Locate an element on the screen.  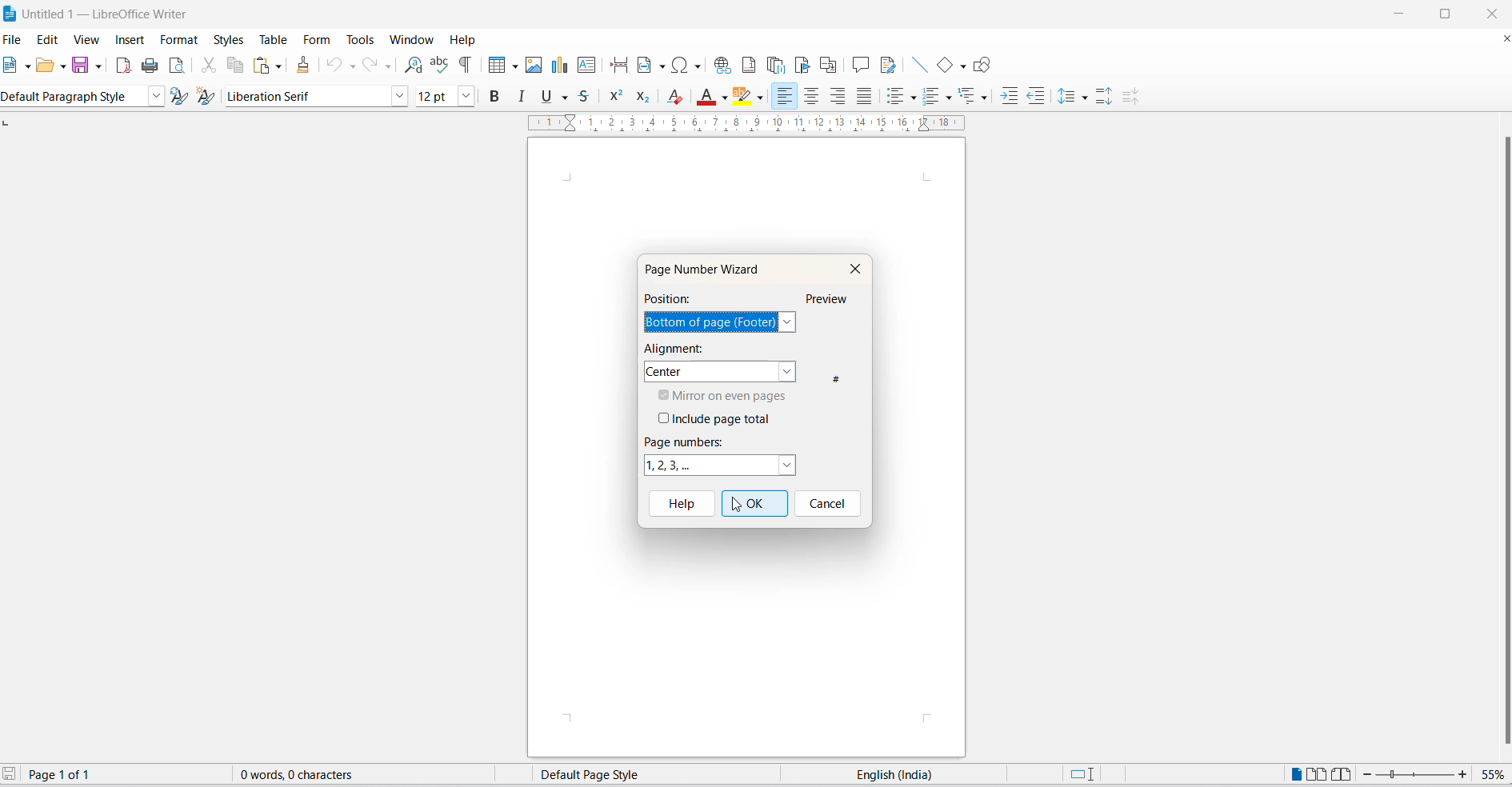
paste options is located at coordinates (260, 66).